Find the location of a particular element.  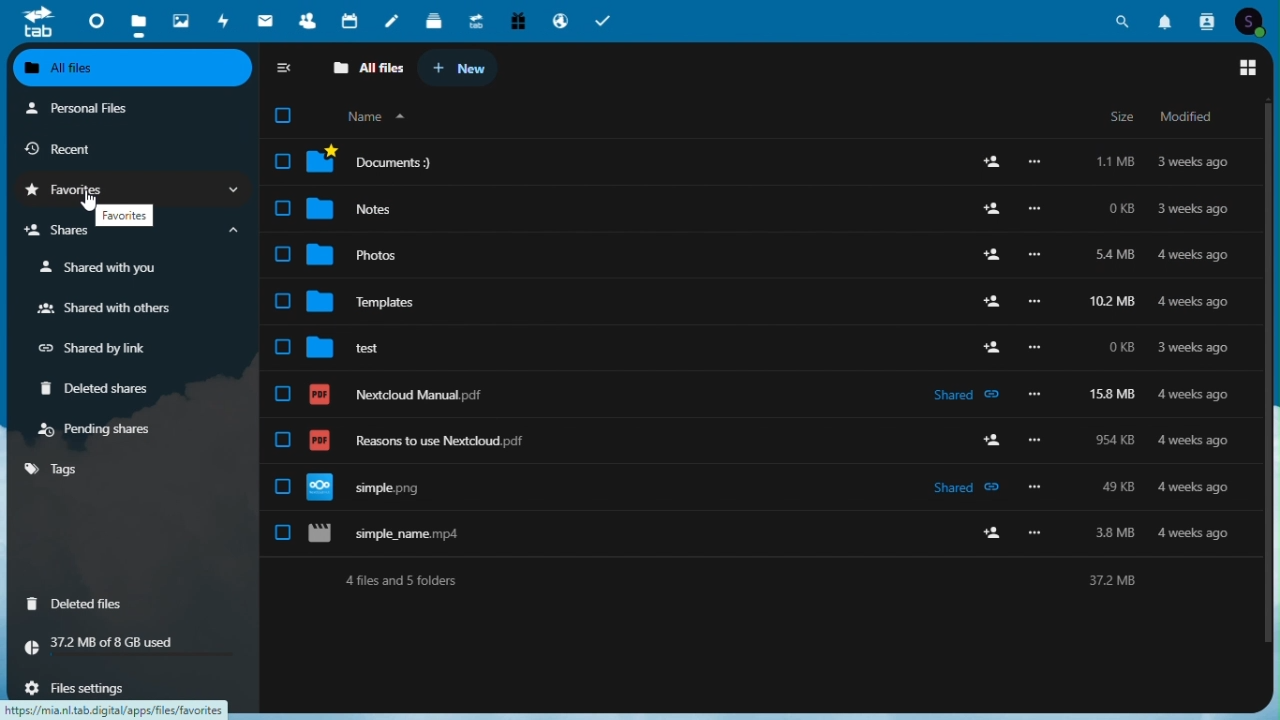

Recent is located at coordinates (60, 148).